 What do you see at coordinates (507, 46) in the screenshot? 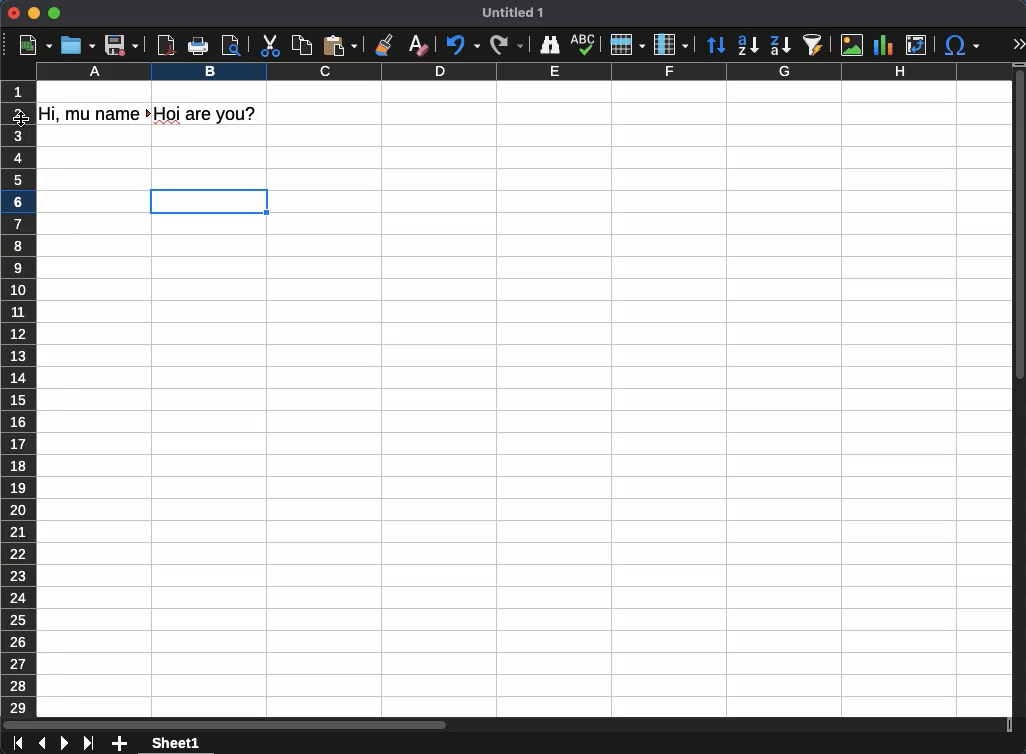
I see `redo` at bounding box center [507, 46].